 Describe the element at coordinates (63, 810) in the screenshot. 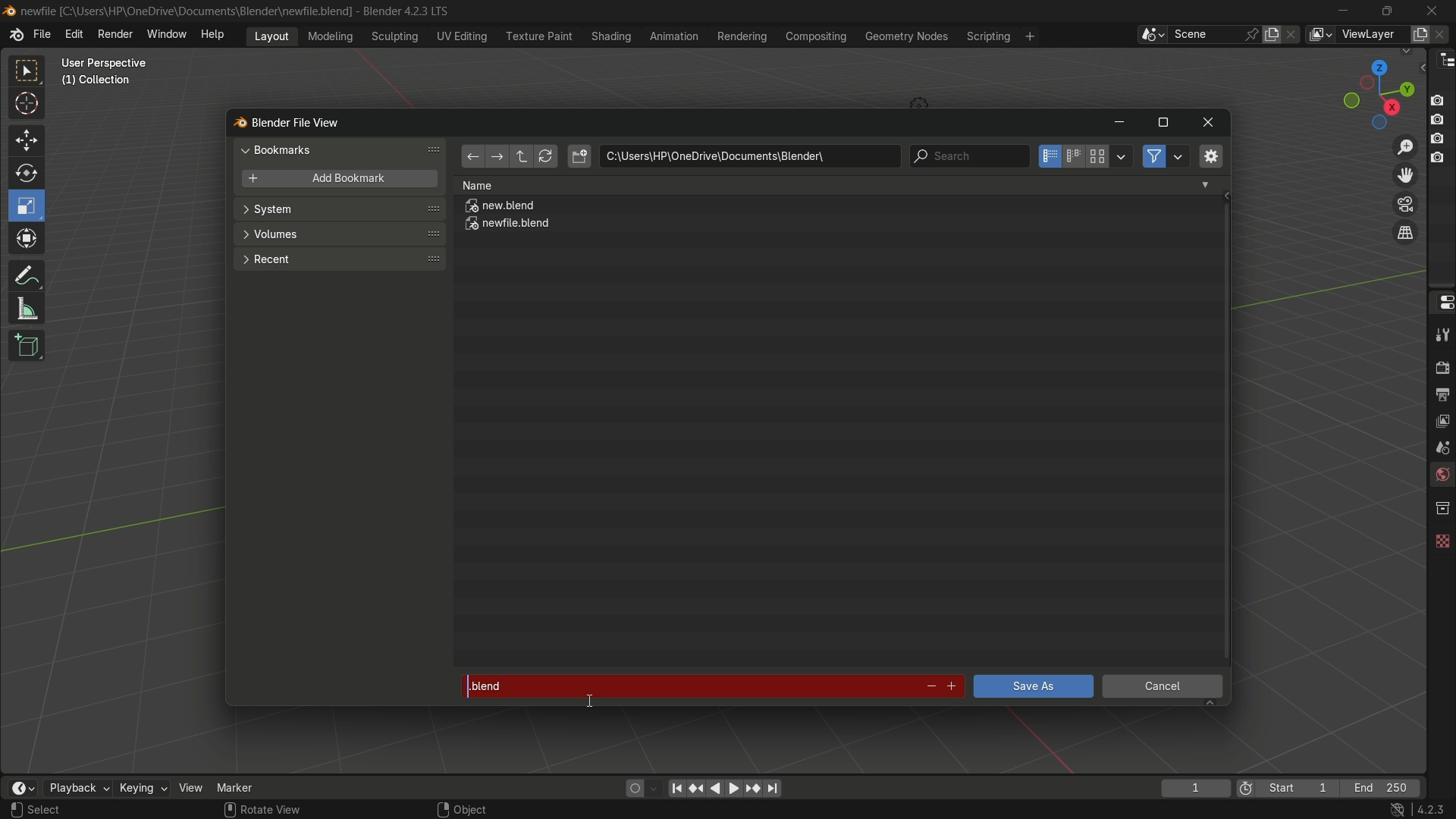

I see `Select` at that location.